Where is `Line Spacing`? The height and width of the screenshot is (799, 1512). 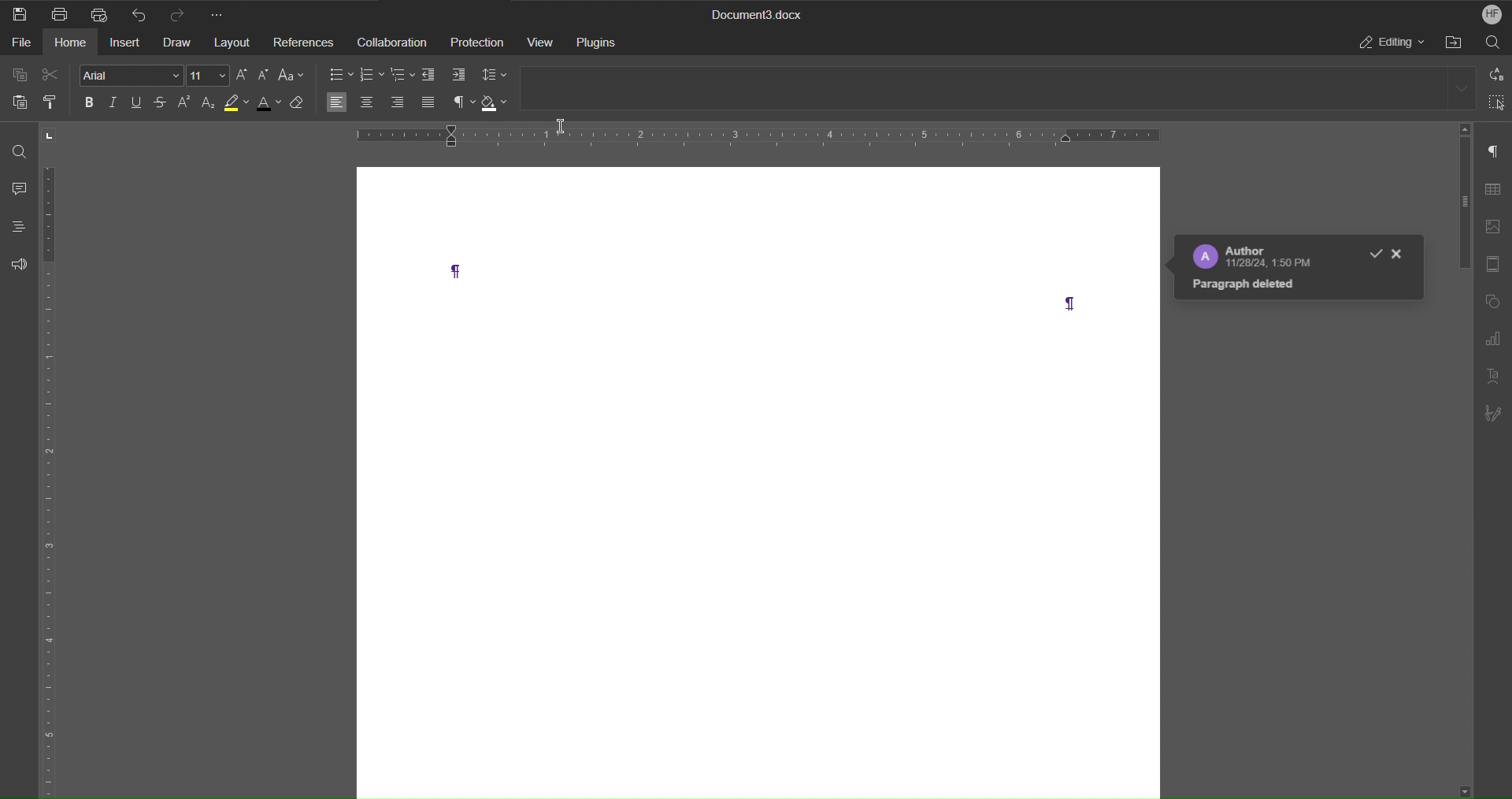
Line Spacing is located at coordinates (495, 75).